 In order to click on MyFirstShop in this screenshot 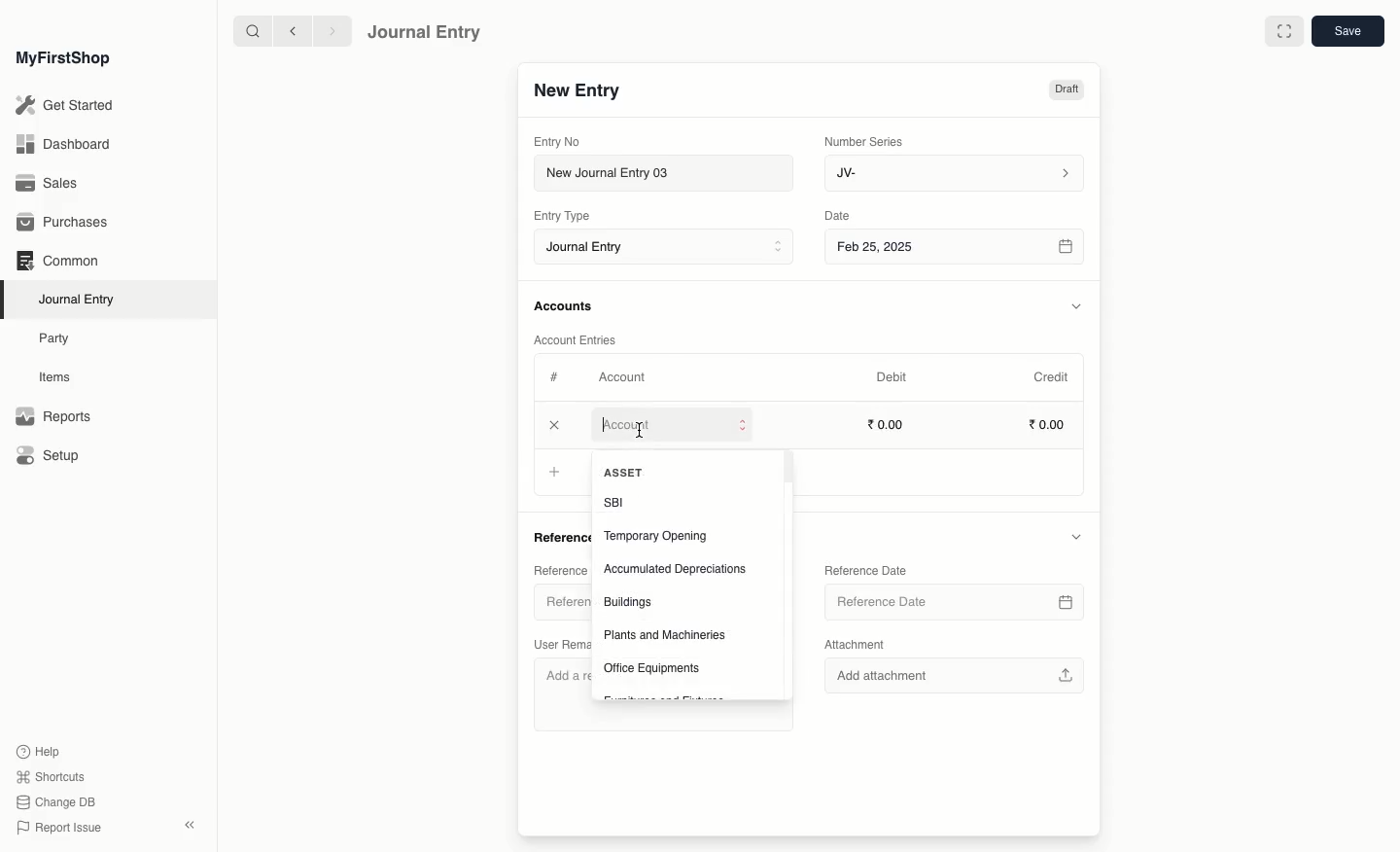, I will do `click(61, 59)`.